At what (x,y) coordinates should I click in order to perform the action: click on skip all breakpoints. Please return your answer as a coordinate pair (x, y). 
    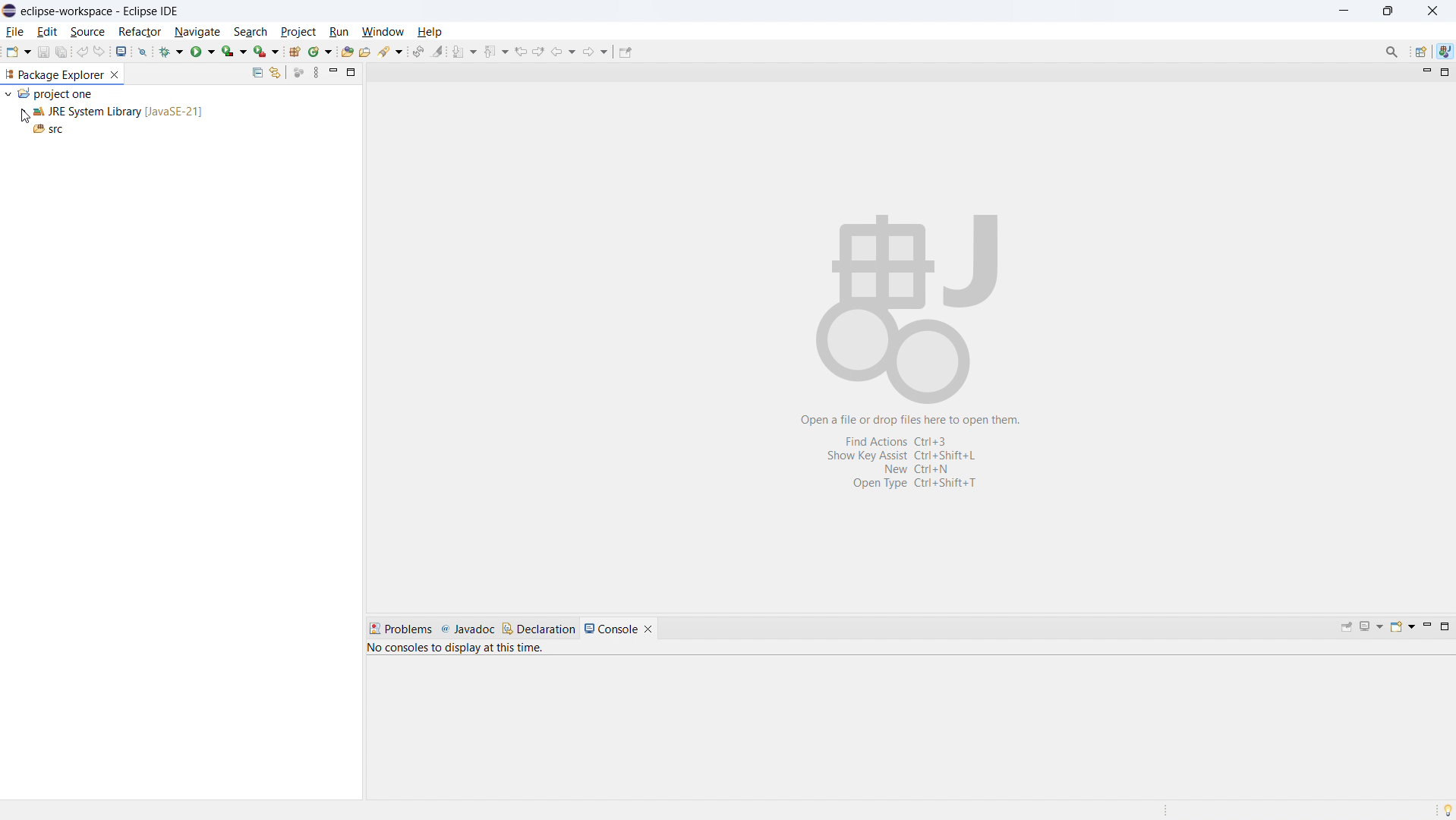
    Looking at the image, I should click on (143, 51).